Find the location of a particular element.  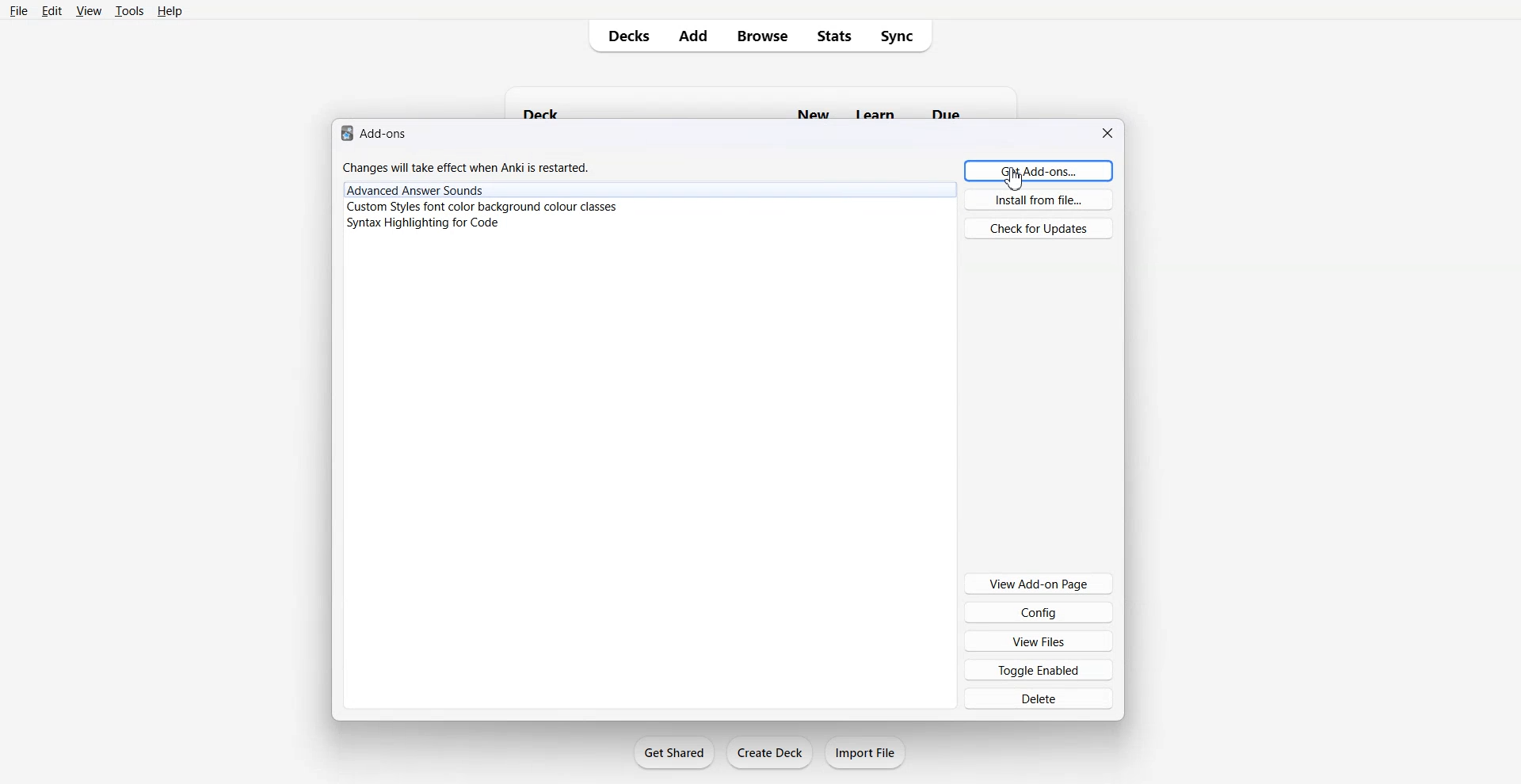

Get Shared is located at coordinates (675, 752).